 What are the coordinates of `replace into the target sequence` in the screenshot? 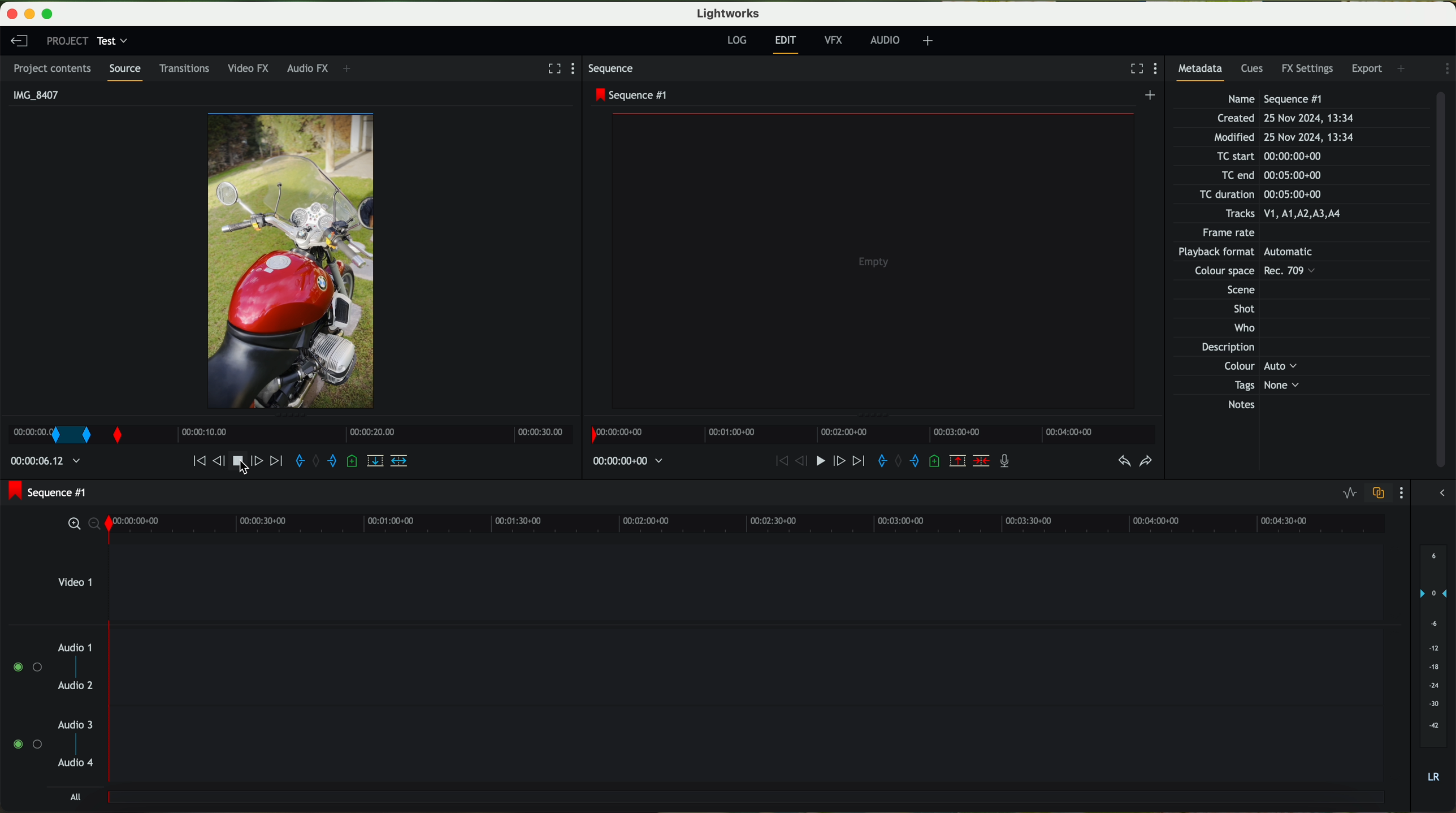 It's located at (378, 465).